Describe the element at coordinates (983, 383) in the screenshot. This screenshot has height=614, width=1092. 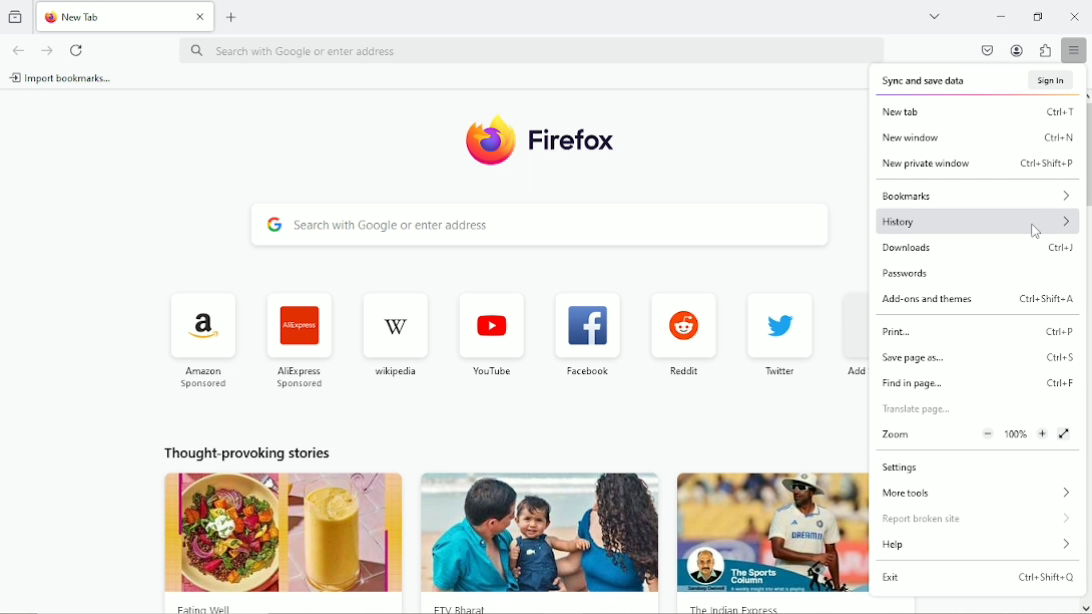
I see `find in page` at that location.